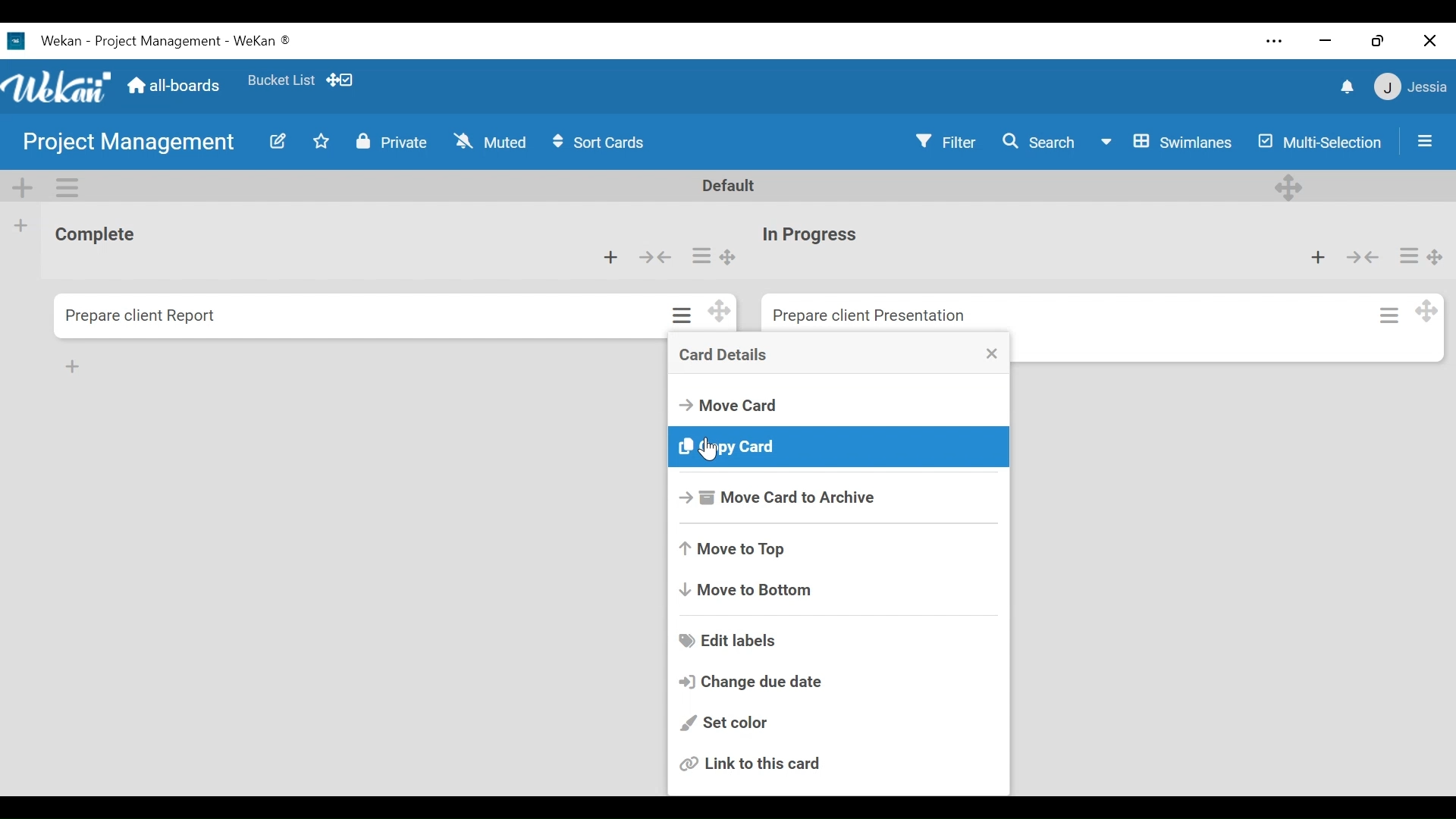 The width and height of the screenshot is (1456, 819). I want to click on Cursor, so click(708, 448).